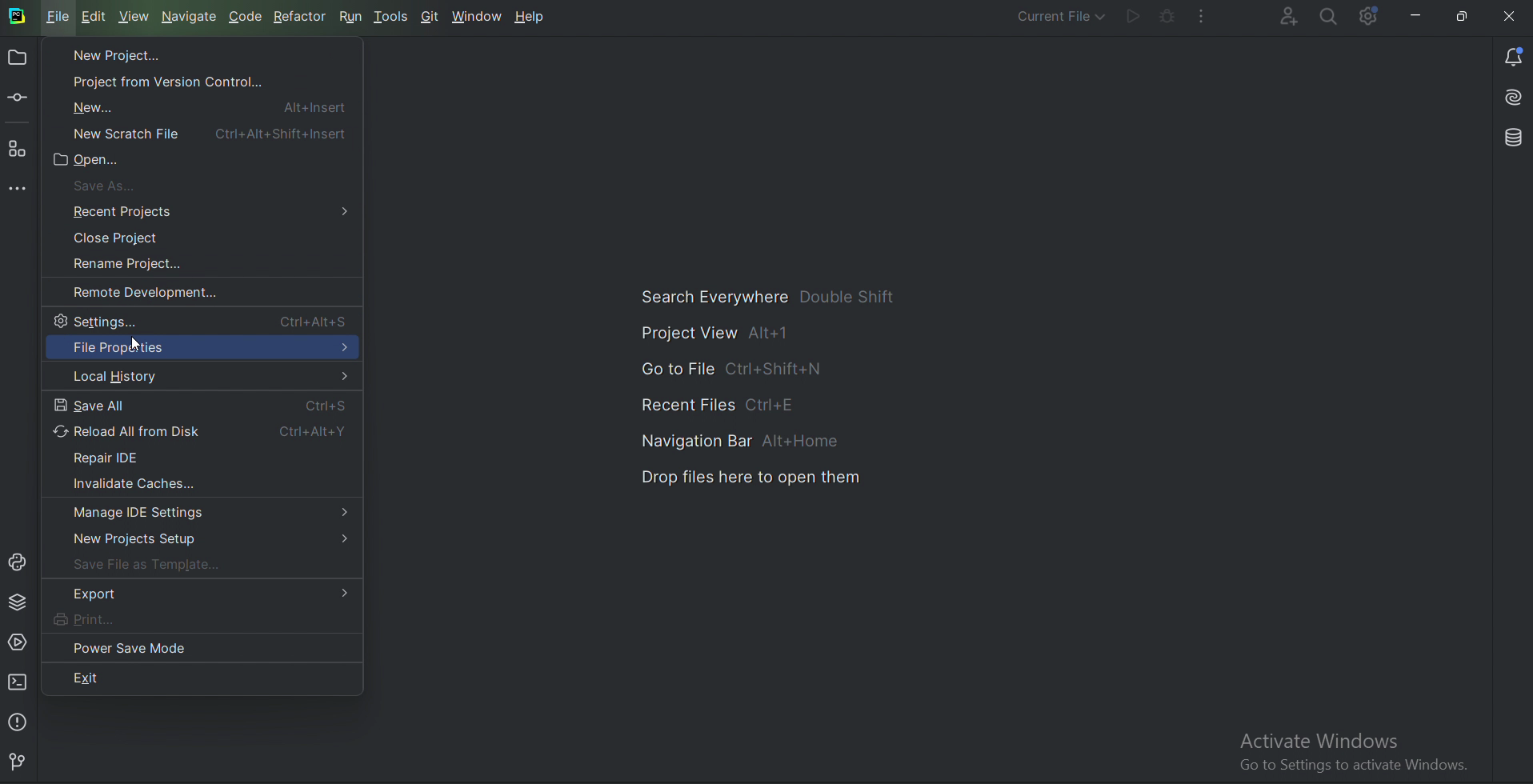  Describe the element at coordinates (175, 78) in the screenshot. I see `Project from version control` at that location.